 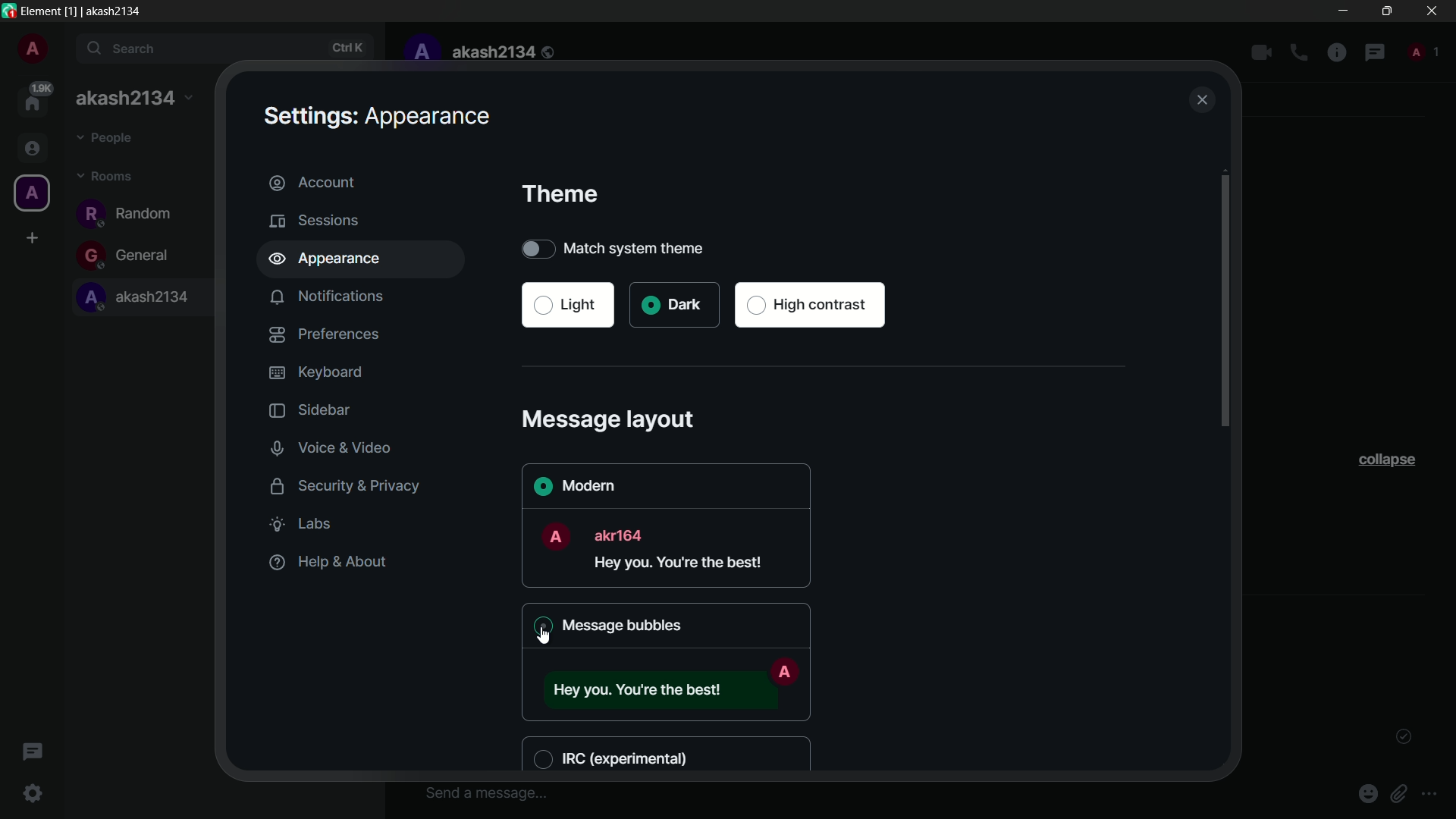 What do you see at coordinates (657, 248) in the screenshot?
I see `Match system theme` at bounding box center [657, 248].